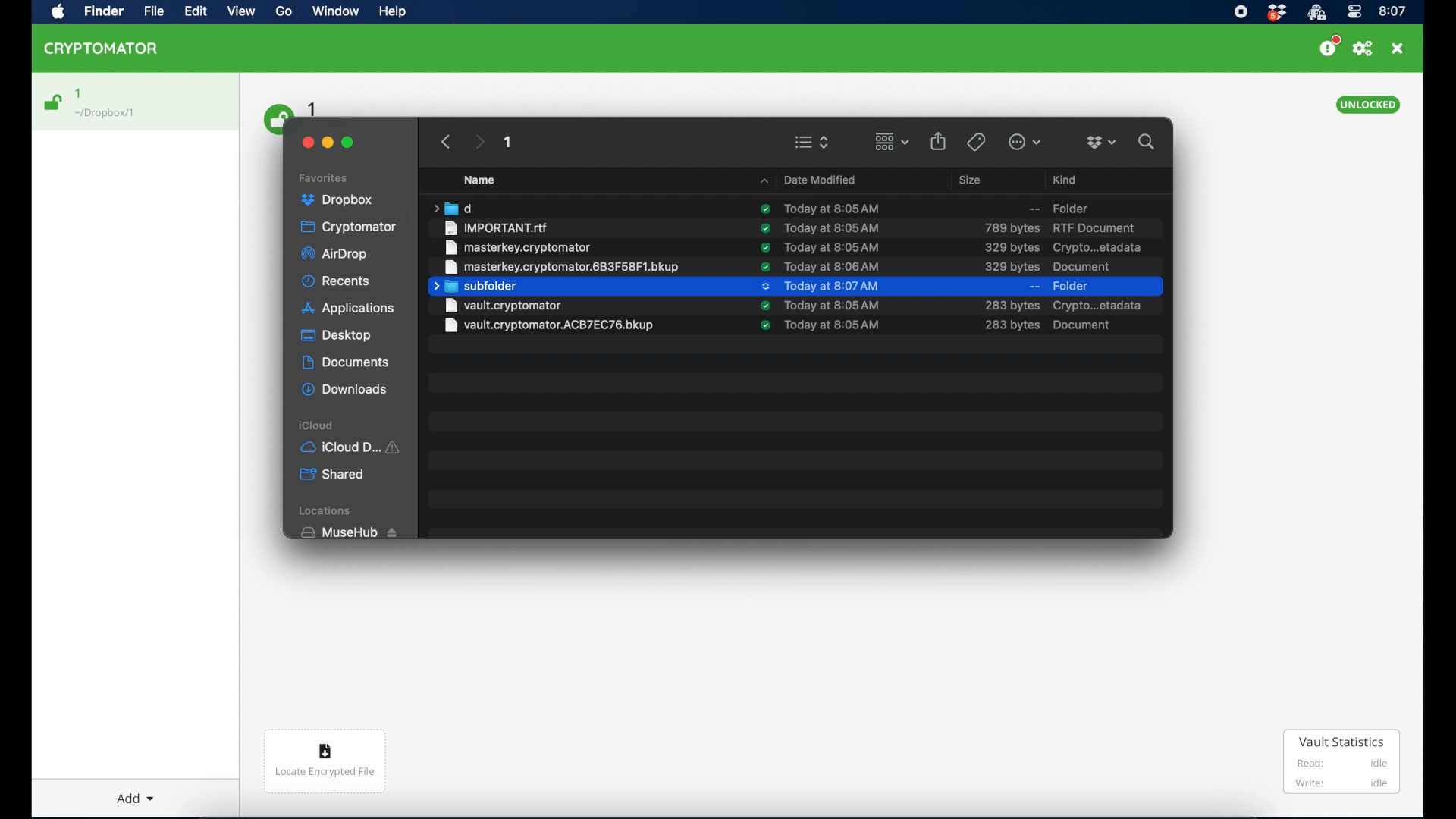 The width and height of the screenshot is (1456, 819). What do you see at coordinates (560, 266) in the screenshot?
I see `file name` at bounding box center [560, 266].